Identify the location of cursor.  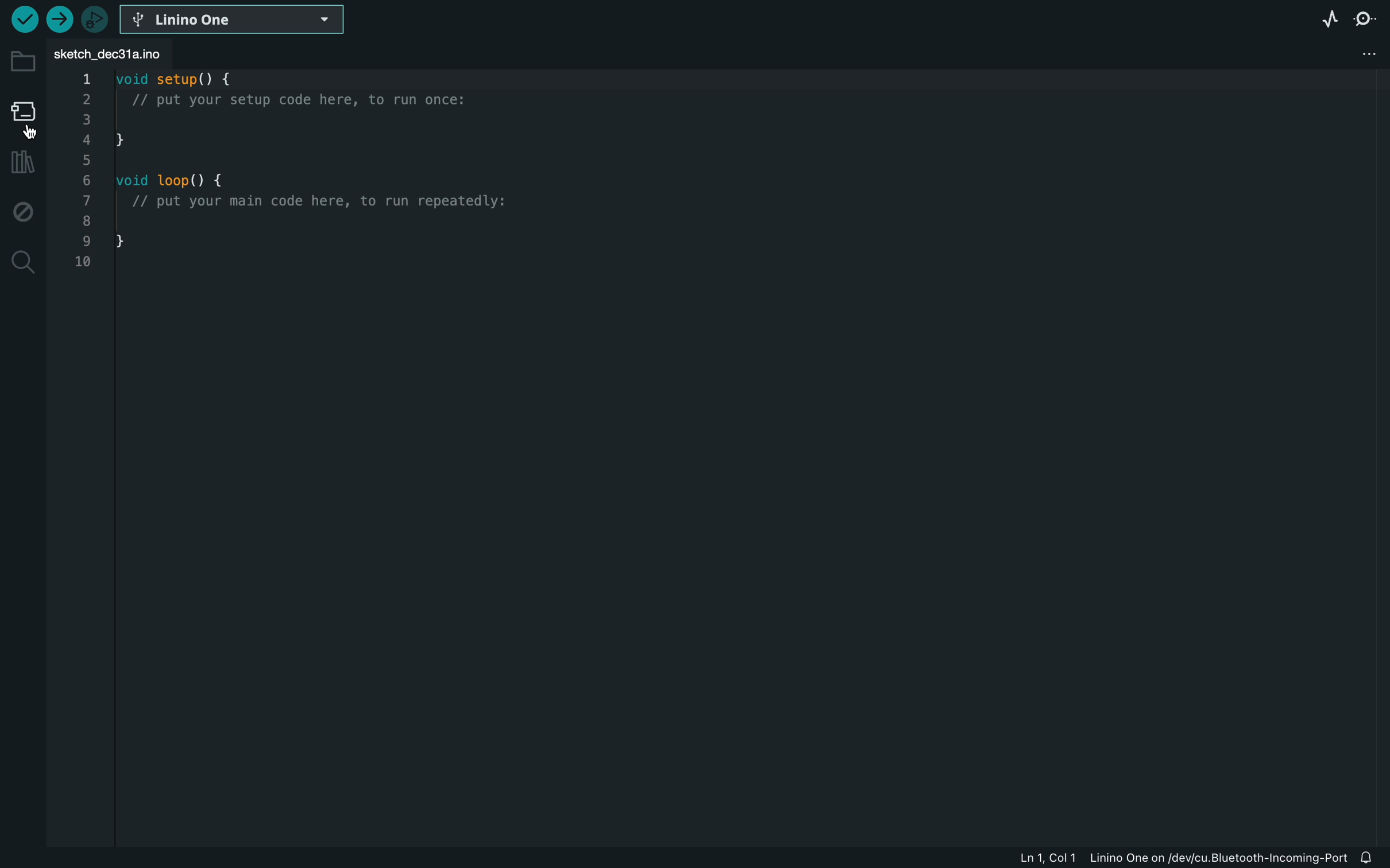
(33, 134).